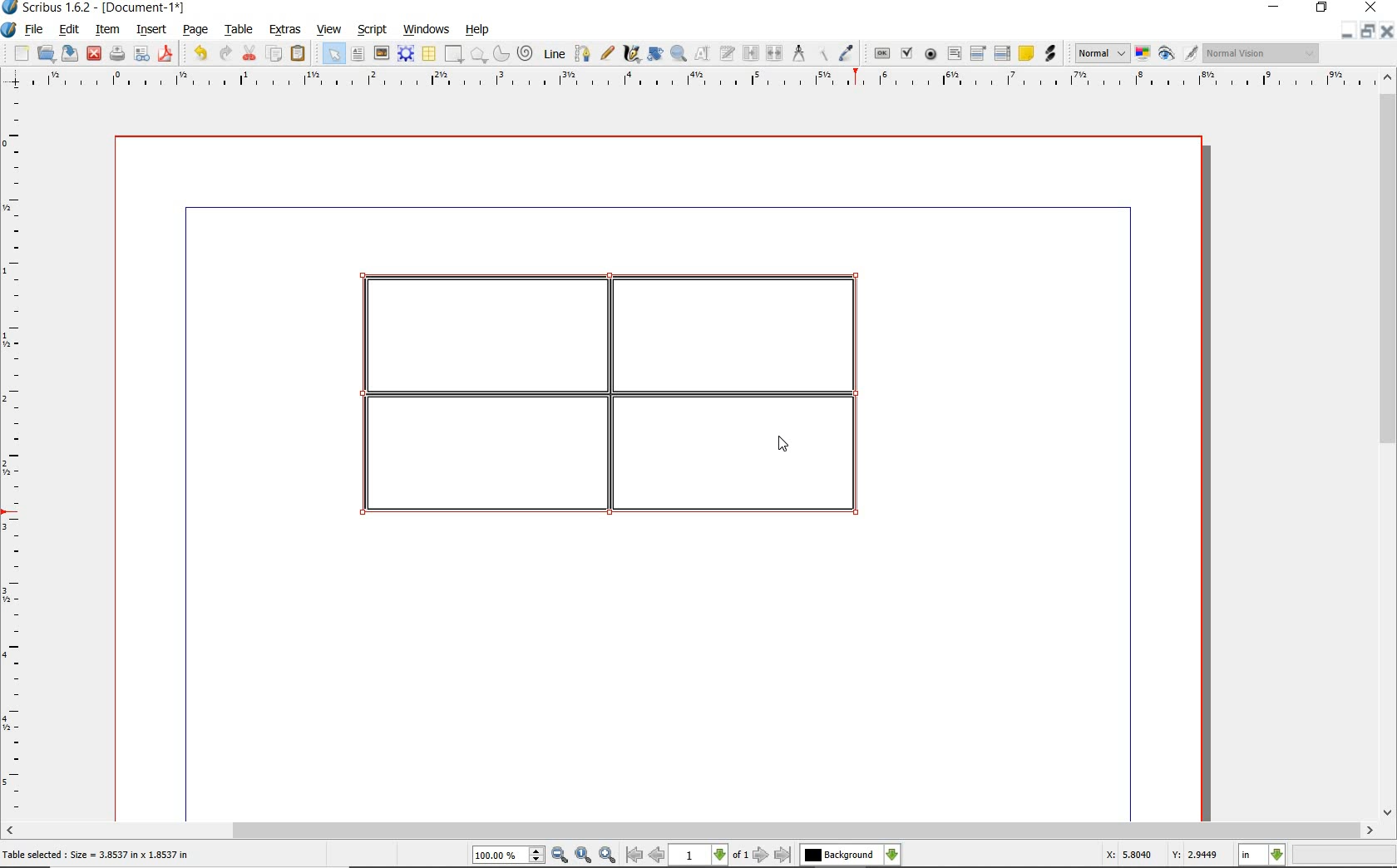  I want to click on text annotation, so click(1027, 54).